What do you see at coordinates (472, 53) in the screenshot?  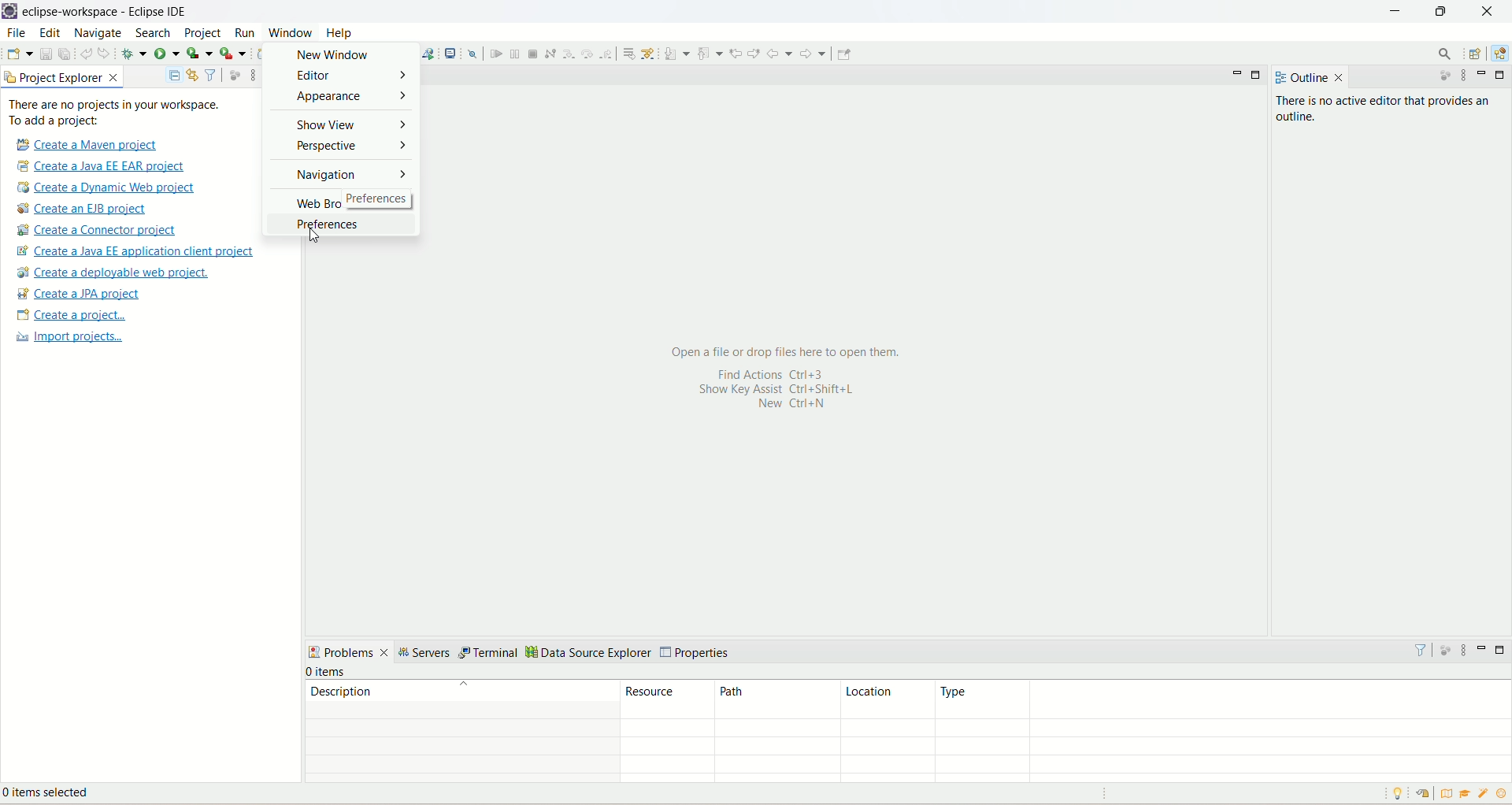 I see `skip all break points` at bounding box center [472, 53].